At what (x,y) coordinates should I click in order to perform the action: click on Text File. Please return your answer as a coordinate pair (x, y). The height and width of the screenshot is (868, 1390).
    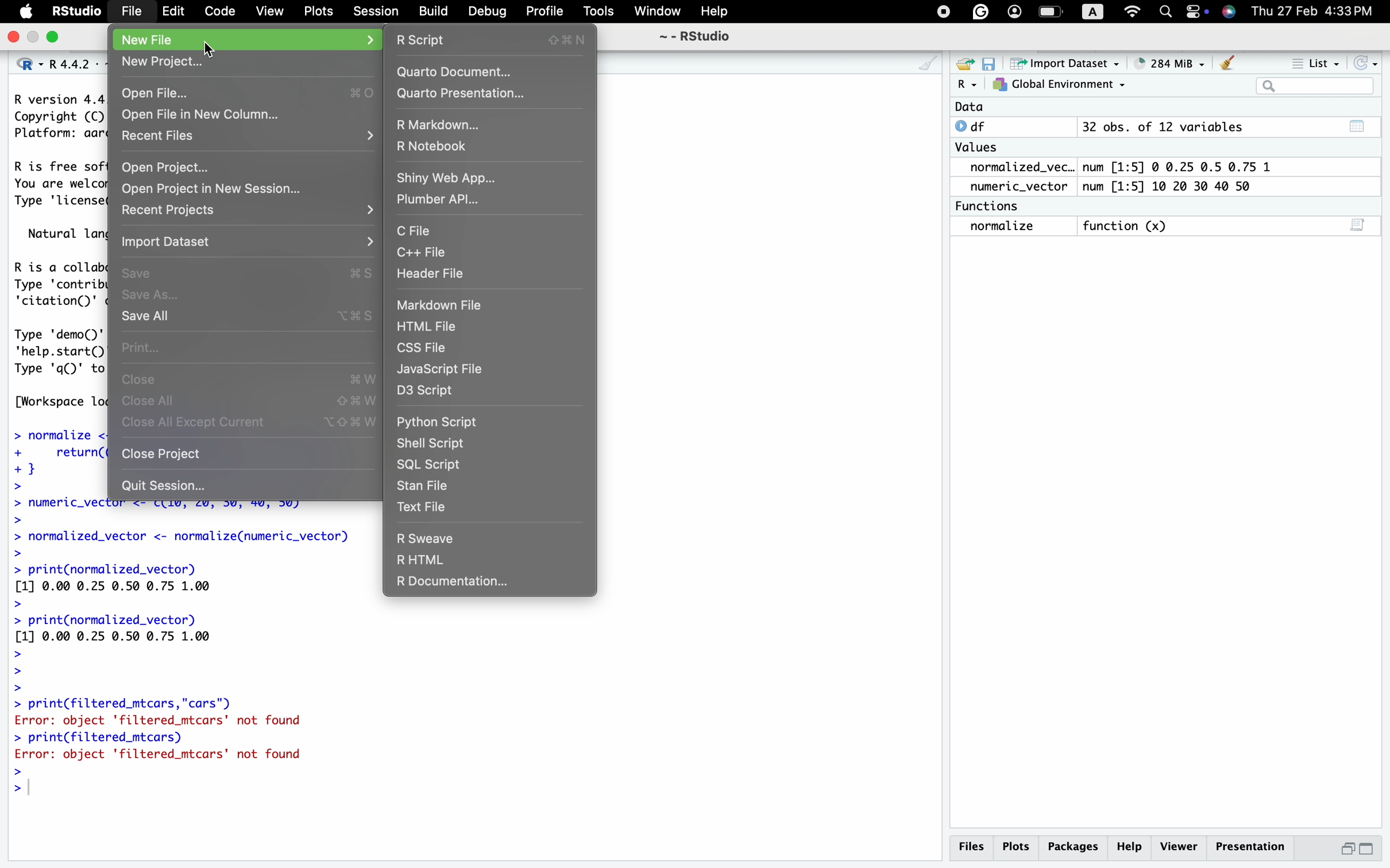
    Looking at the image, I should click on (426, 506).